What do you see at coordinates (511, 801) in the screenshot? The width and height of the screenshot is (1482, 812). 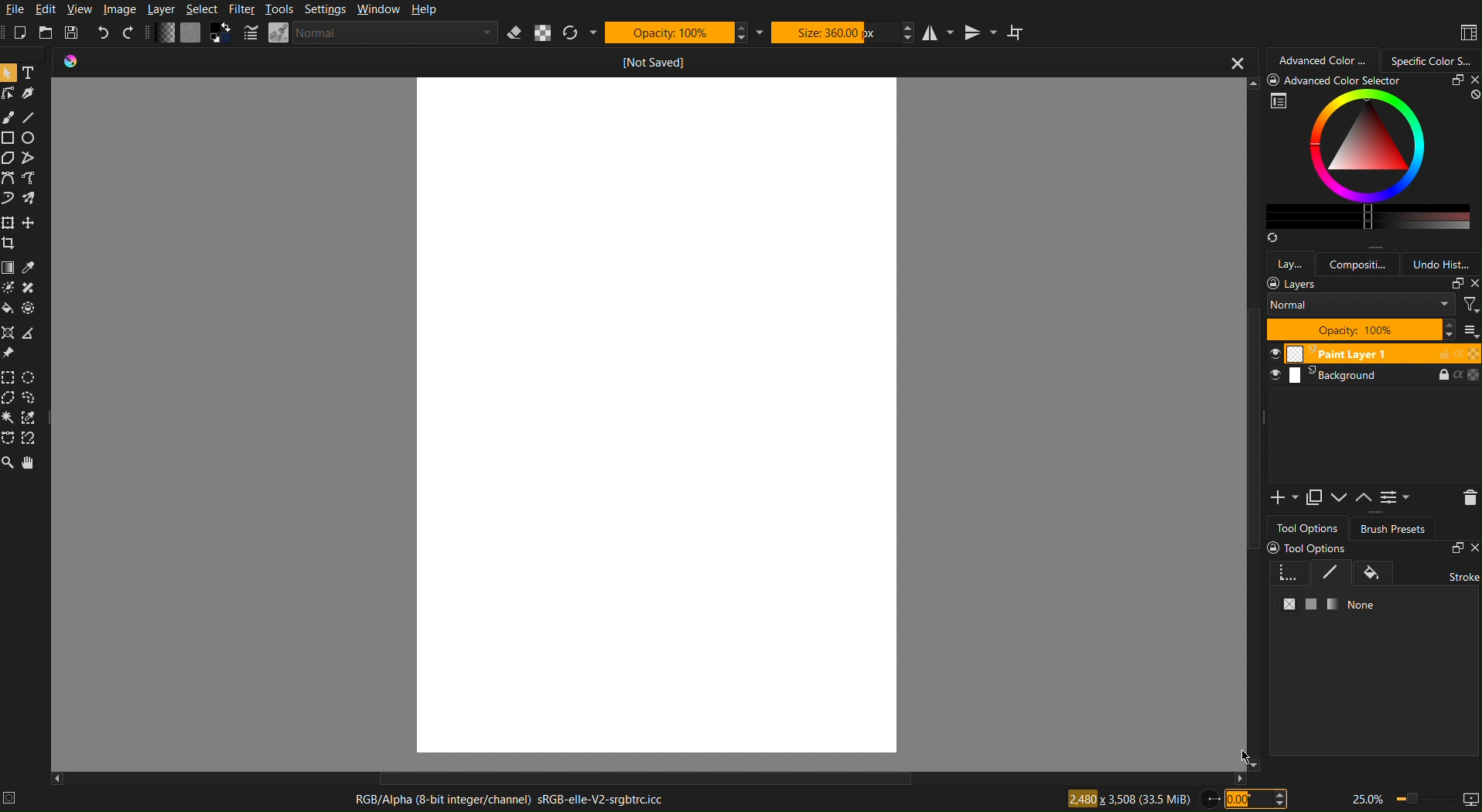 I see `RGB Alpha Channel` at bounding box center [511, 801].